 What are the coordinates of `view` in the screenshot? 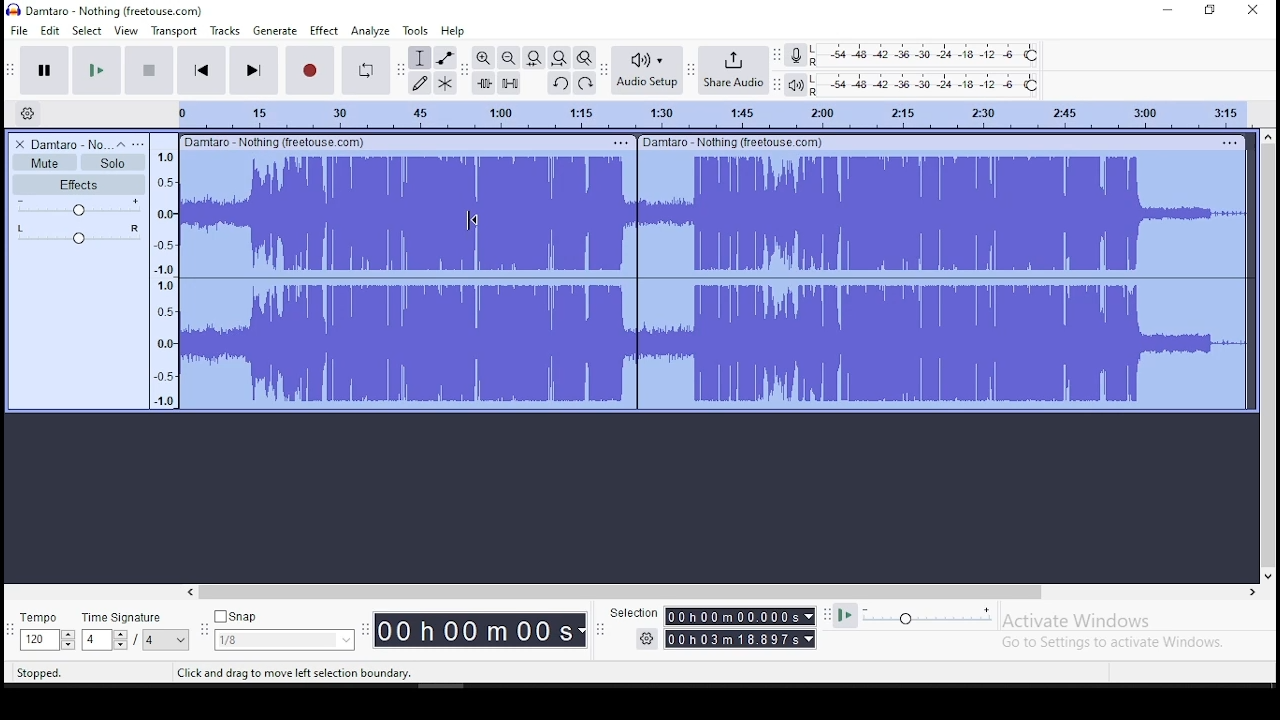 It's located at (127, 29).